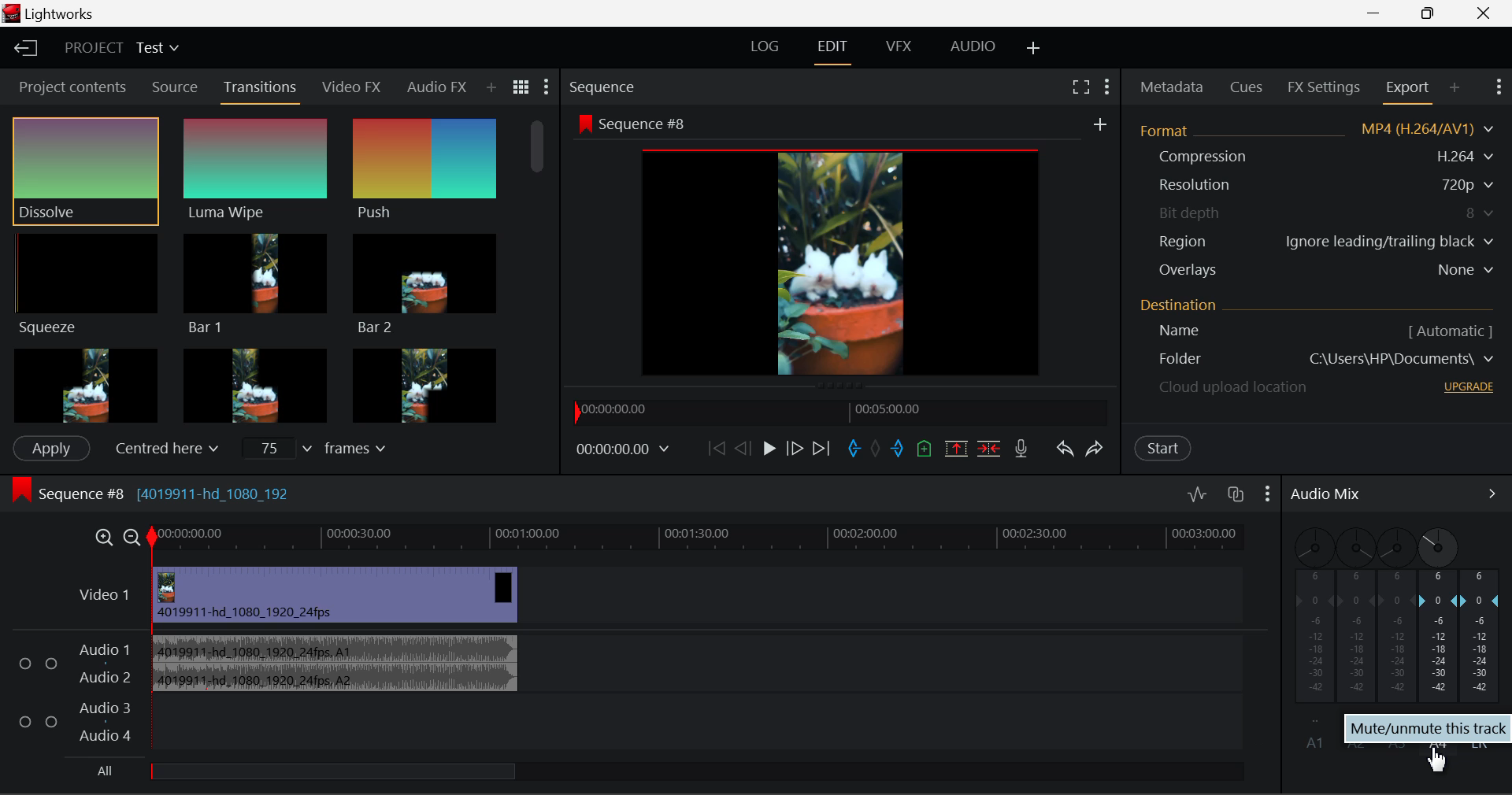 The width and height of the screenshot is (1512, 795). What do you see at coordinates (1327, 496) in the screenshot?
I see `Audio Mix` at bounding box center [1327, 496].